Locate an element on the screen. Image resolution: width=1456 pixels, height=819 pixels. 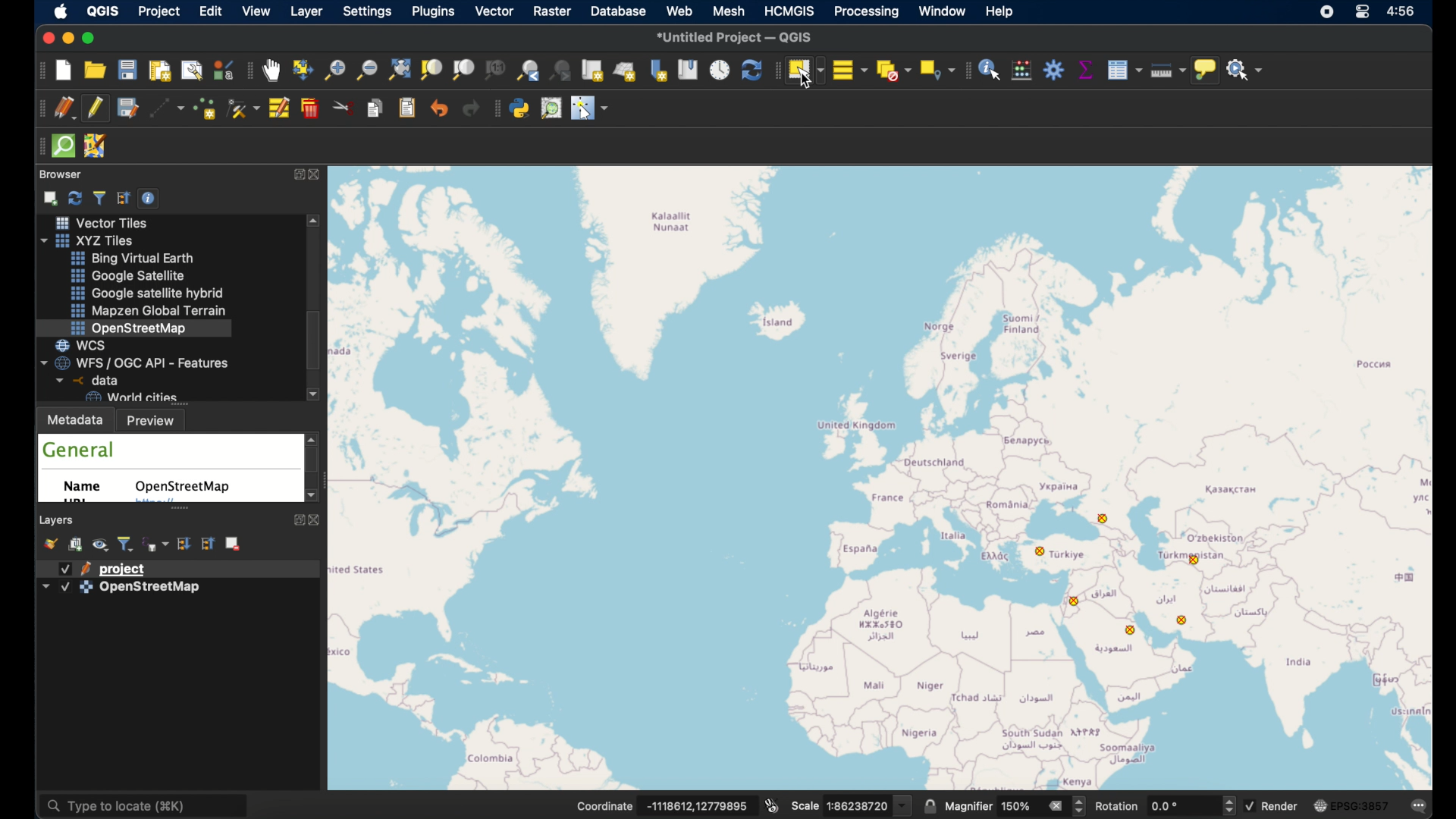
zoom next is located at coordinates (562, 71).